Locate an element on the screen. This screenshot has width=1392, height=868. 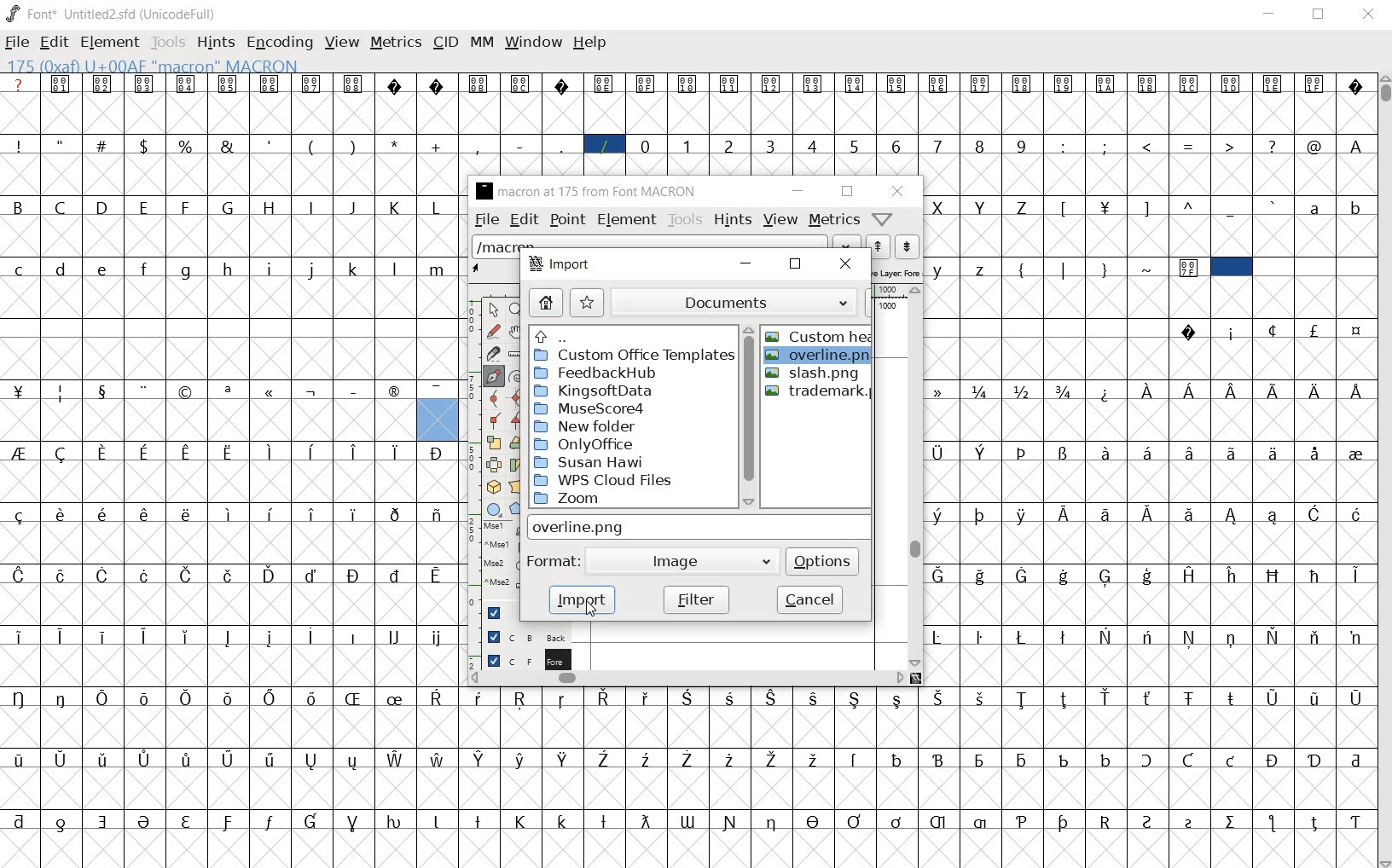
Symbol is located at coordinates (229, 697).